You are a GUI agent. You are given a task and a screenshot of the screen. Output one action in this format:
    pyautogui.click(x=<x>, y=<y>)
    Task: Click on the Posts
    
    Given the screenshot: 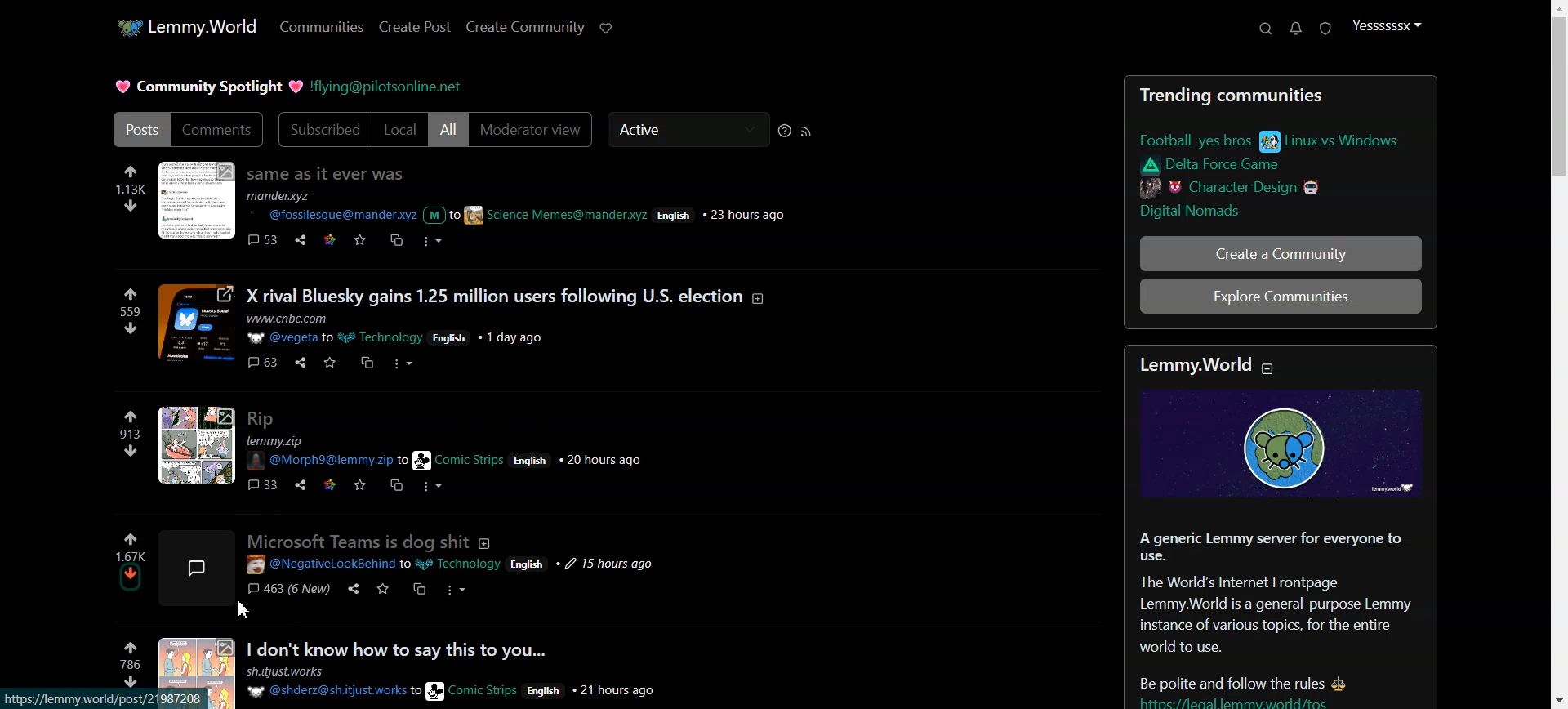 What is the action you would take?
    pyautogui.click(x=140, y=130)
    